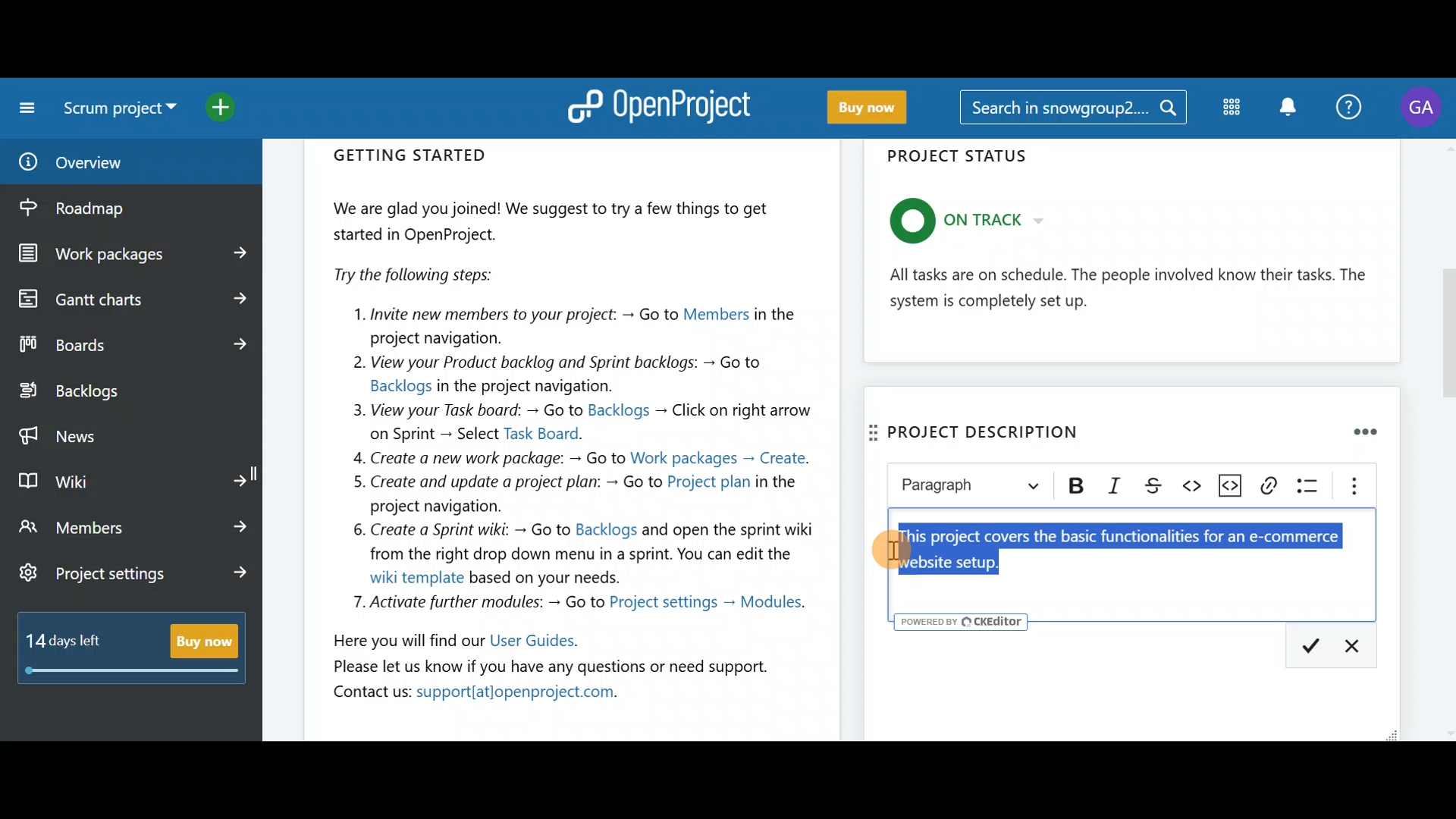 The width and height of the screenshot is (1456, 819). What do you see at coordinates (133, 254) in the screenshot?
I see `Work packages` at bounding box center [133, 254].